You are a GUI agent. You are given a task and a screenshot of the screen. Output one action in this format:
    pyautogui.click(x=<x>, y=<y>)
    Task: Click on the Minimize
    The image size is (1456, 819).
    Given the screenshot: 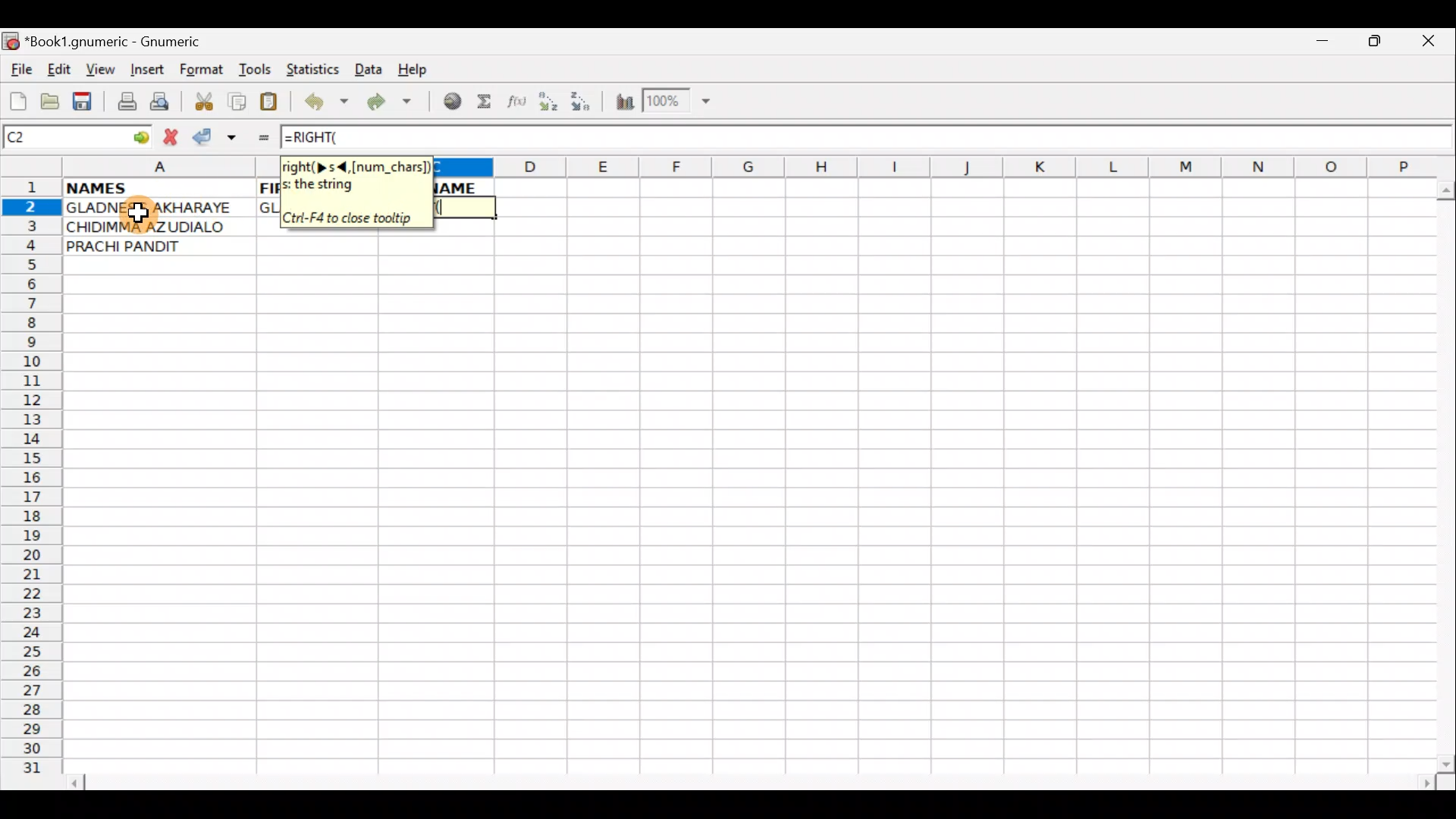 What is the action you would take?
    pyautogui.click(x=1319, y=45)
    